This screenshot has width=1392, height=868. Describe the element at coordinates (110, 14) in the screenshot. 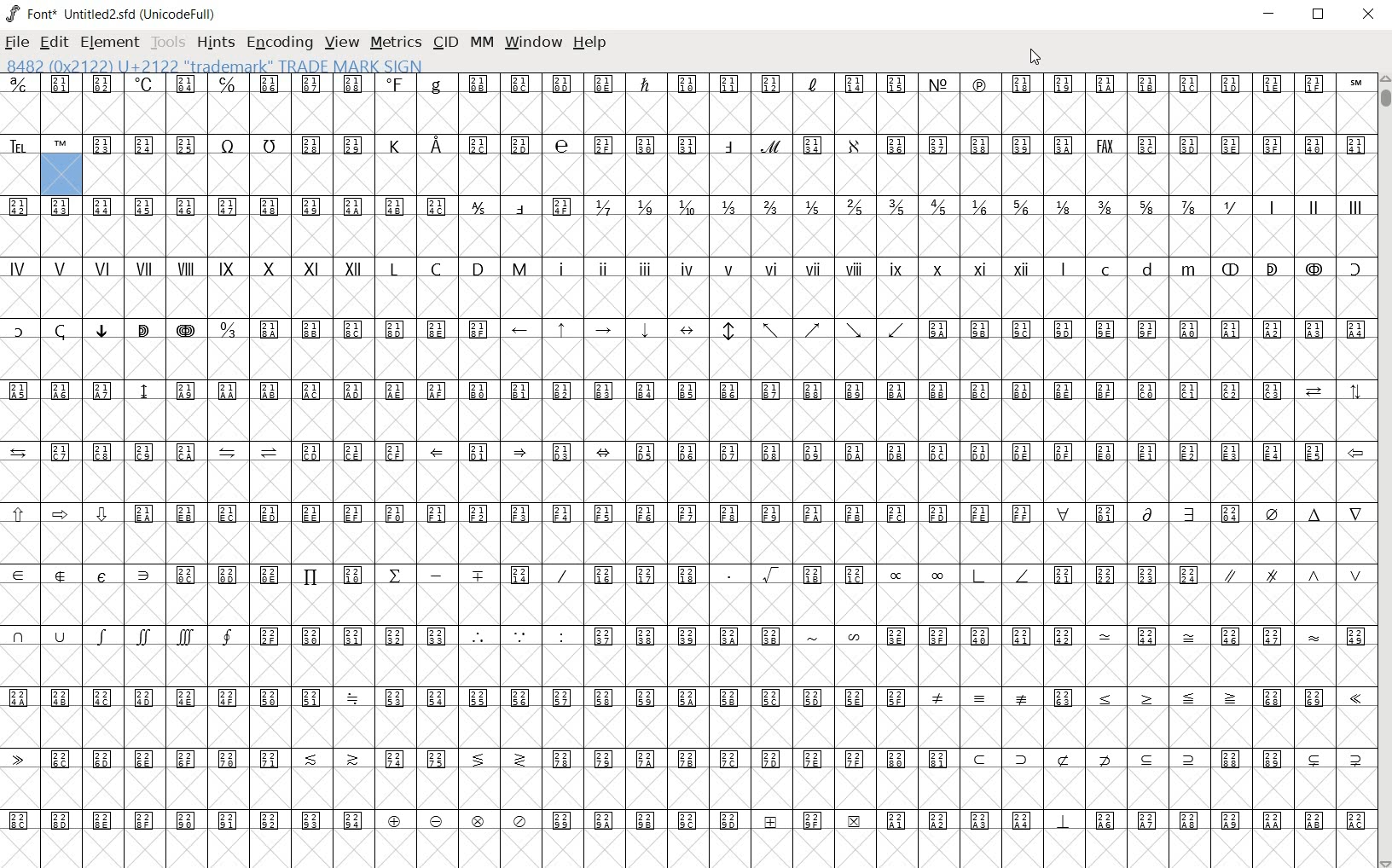

I see `font* Untitled2.sfd (unicodeFull)` at that location.